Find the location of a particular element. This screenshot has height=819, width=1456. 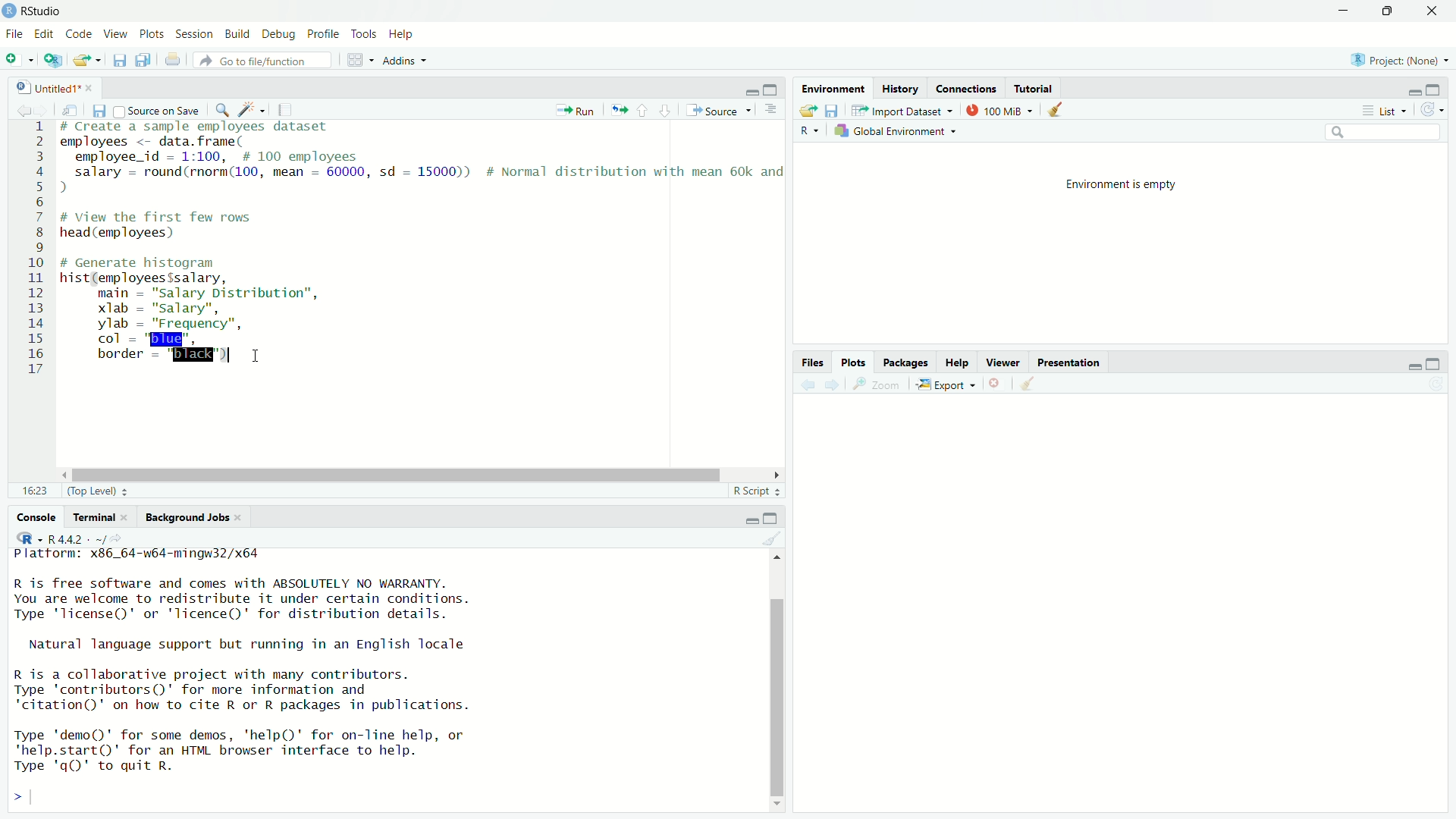

R is located at coordinates (810, 131).